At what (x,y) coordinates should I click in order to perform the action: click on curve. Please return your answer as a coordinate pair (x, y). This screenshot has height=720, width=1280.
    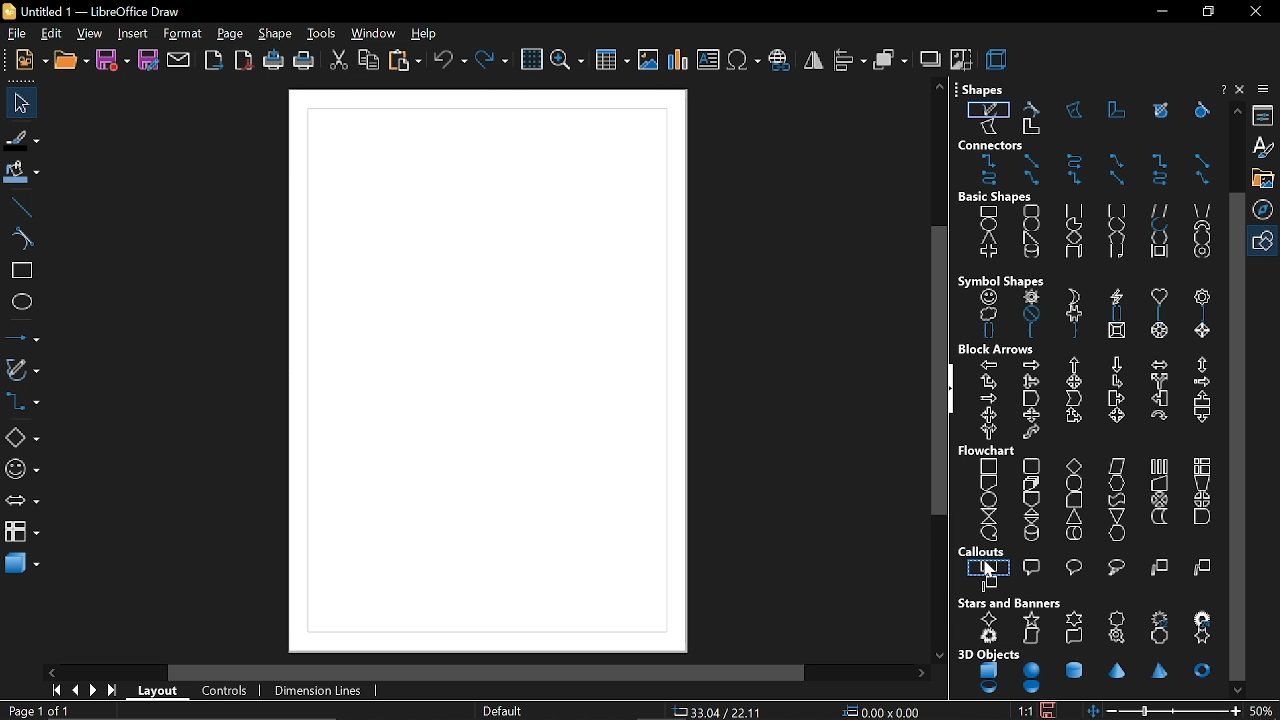
    Looking at the image, I should click on (18, 237).